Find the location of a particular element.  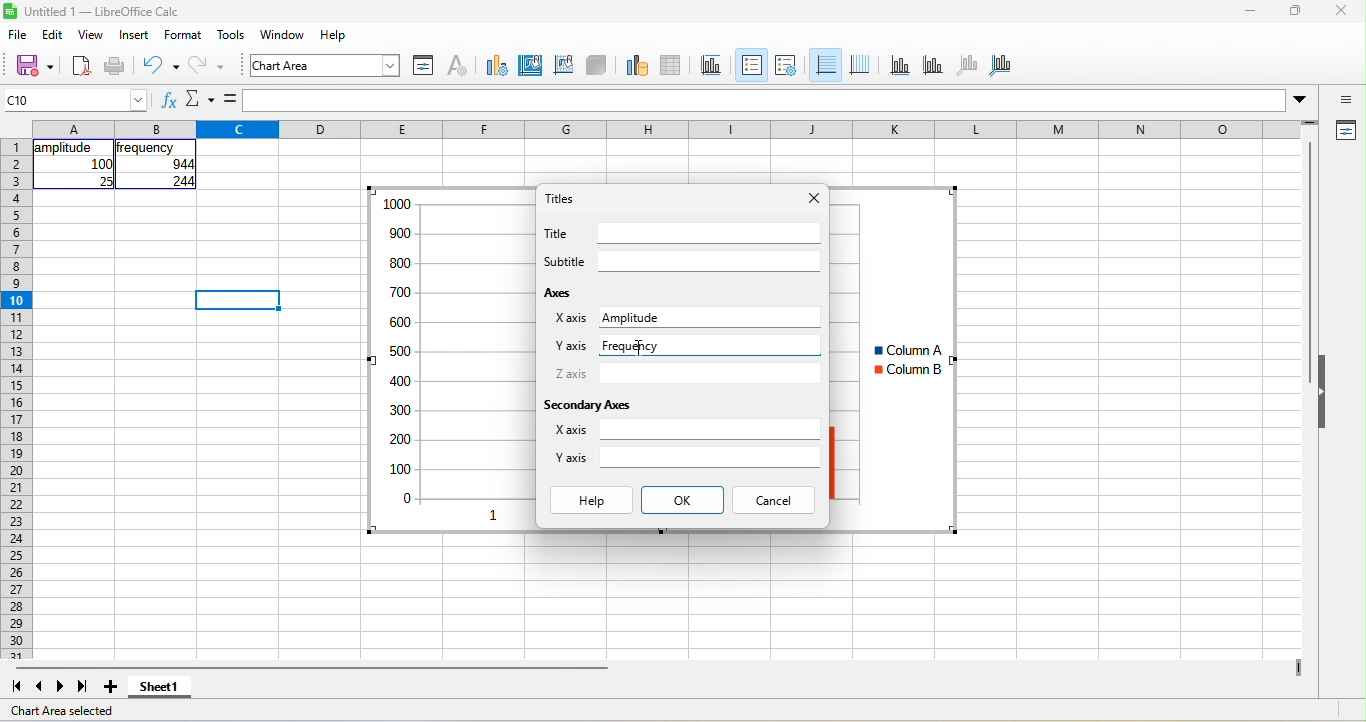

Frequency is located at coordinates (631, 347).